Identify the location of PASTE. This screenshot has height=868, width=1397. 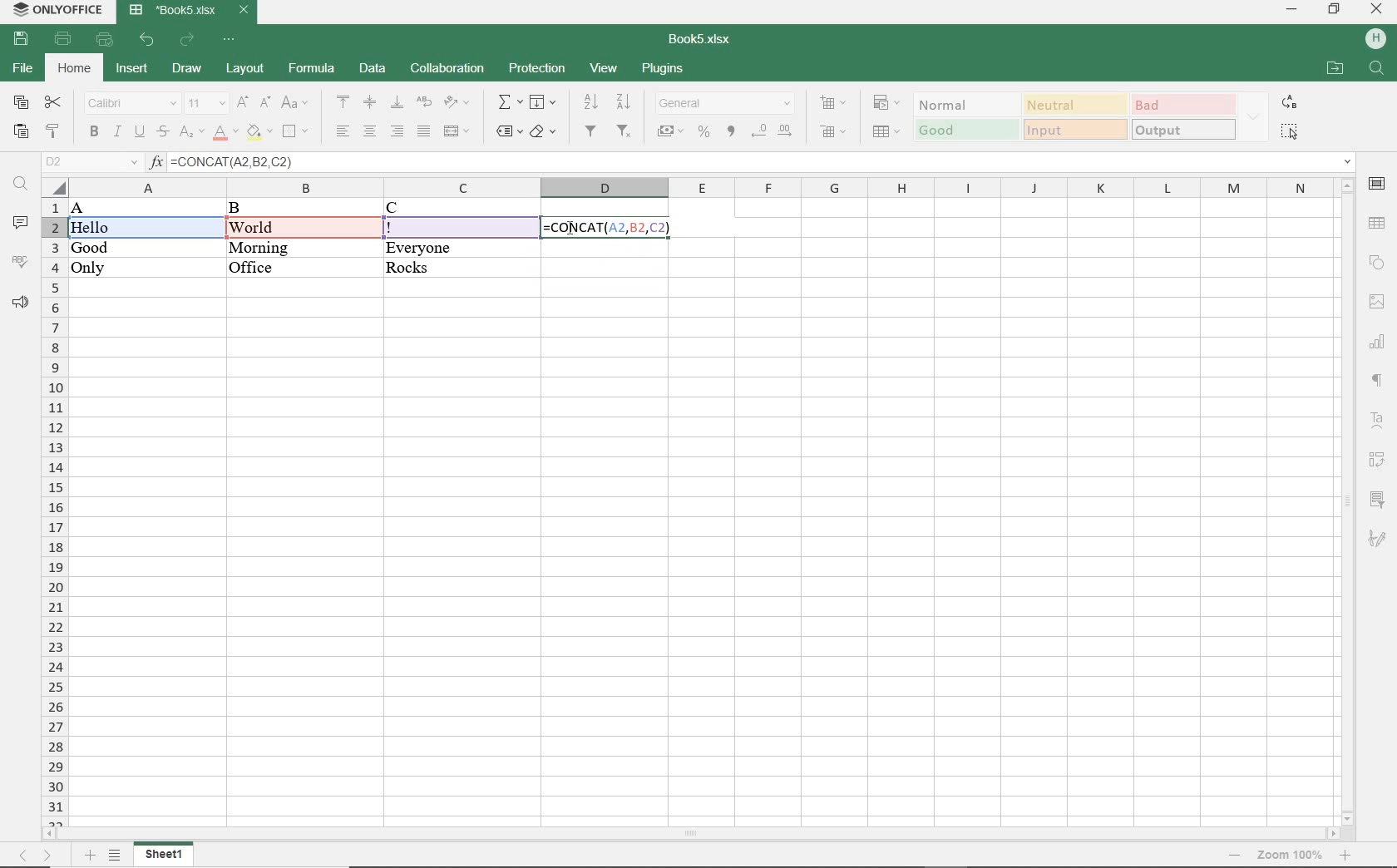
(20, 131).